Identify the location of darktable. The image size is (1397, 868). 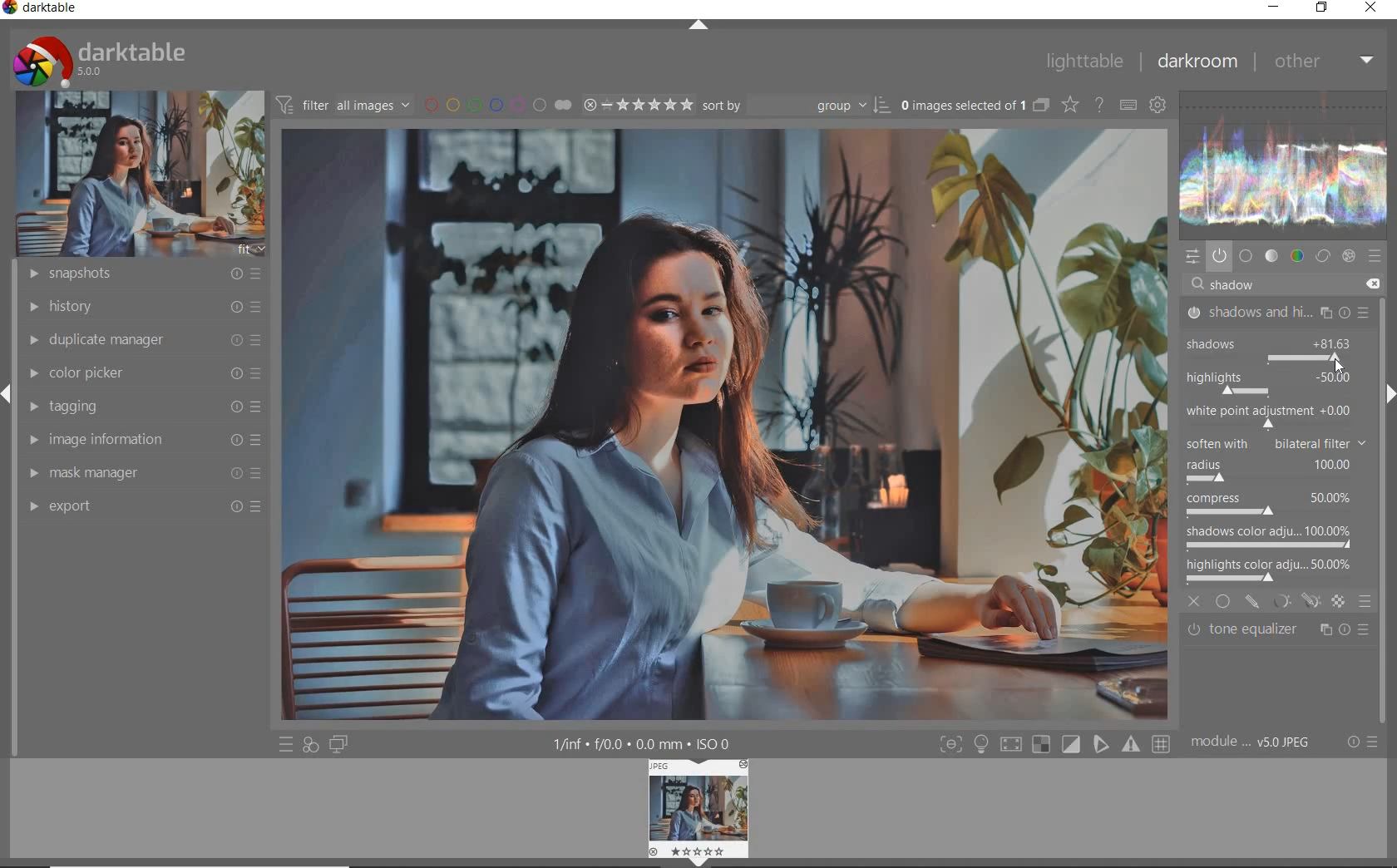
(47, 9).